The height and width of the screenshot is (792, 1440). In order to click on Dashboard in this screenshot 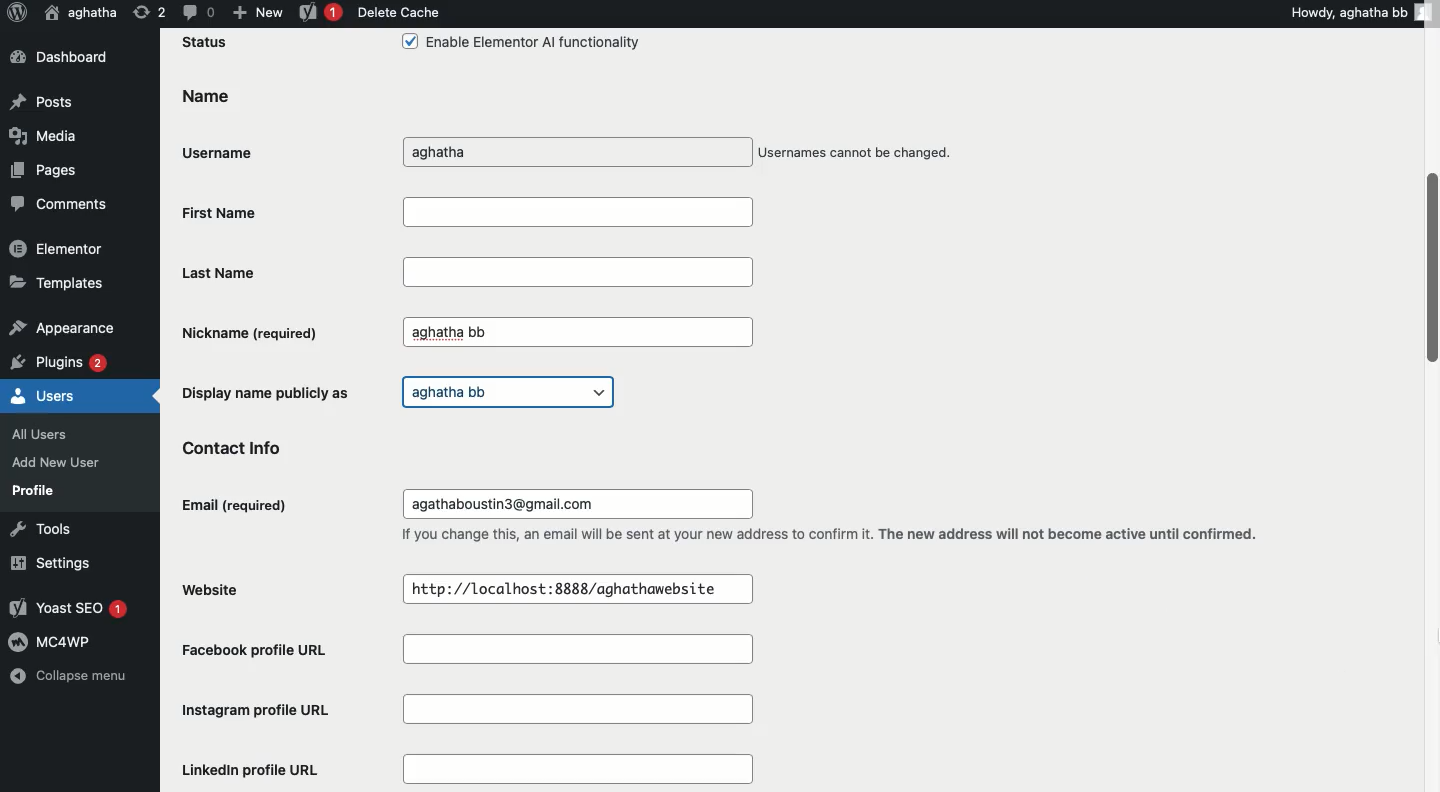, I will do `click(68, 58)`.